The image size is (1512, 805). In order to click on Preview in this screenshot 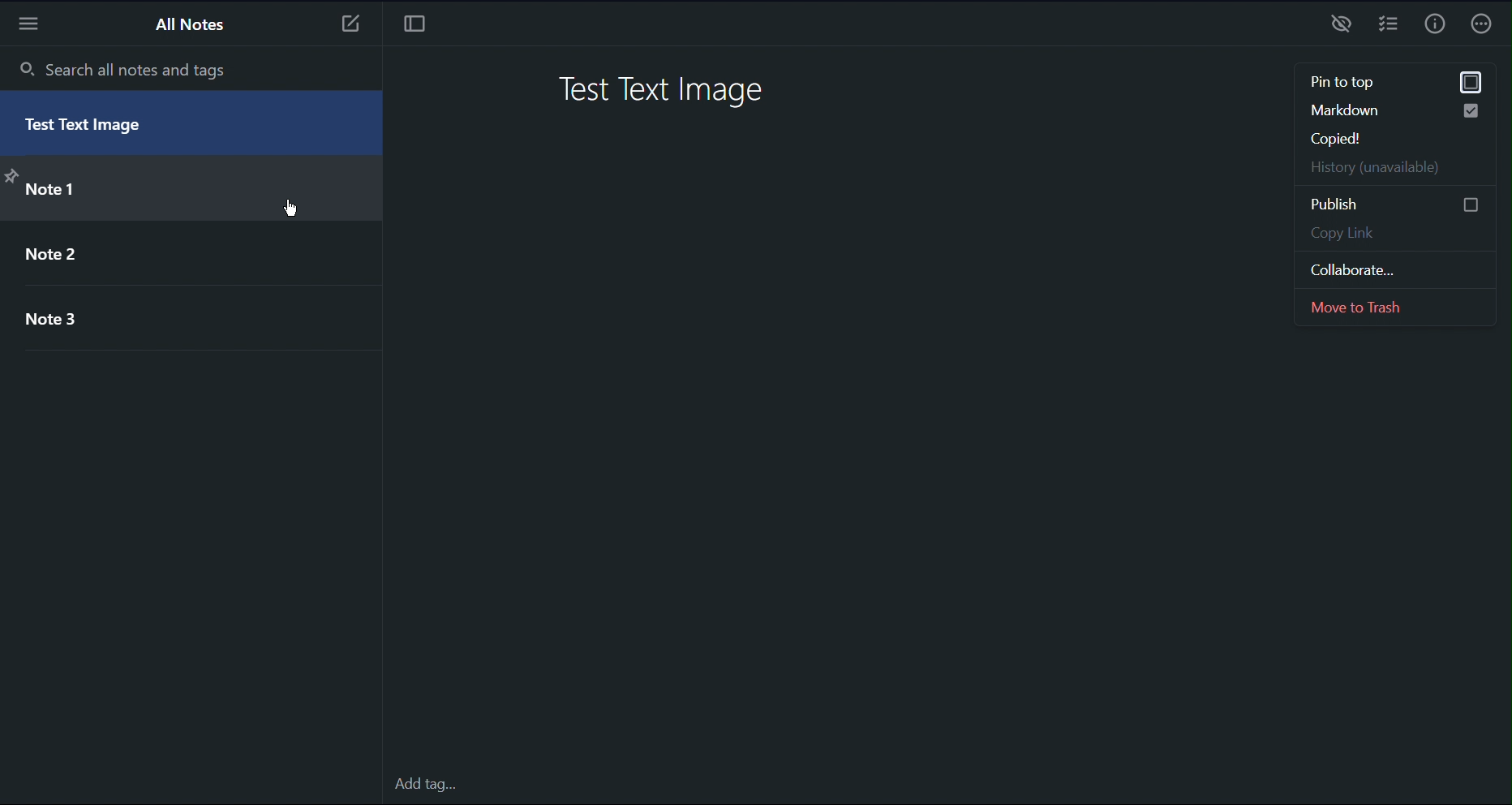, I will do `click(1342, 26)`.